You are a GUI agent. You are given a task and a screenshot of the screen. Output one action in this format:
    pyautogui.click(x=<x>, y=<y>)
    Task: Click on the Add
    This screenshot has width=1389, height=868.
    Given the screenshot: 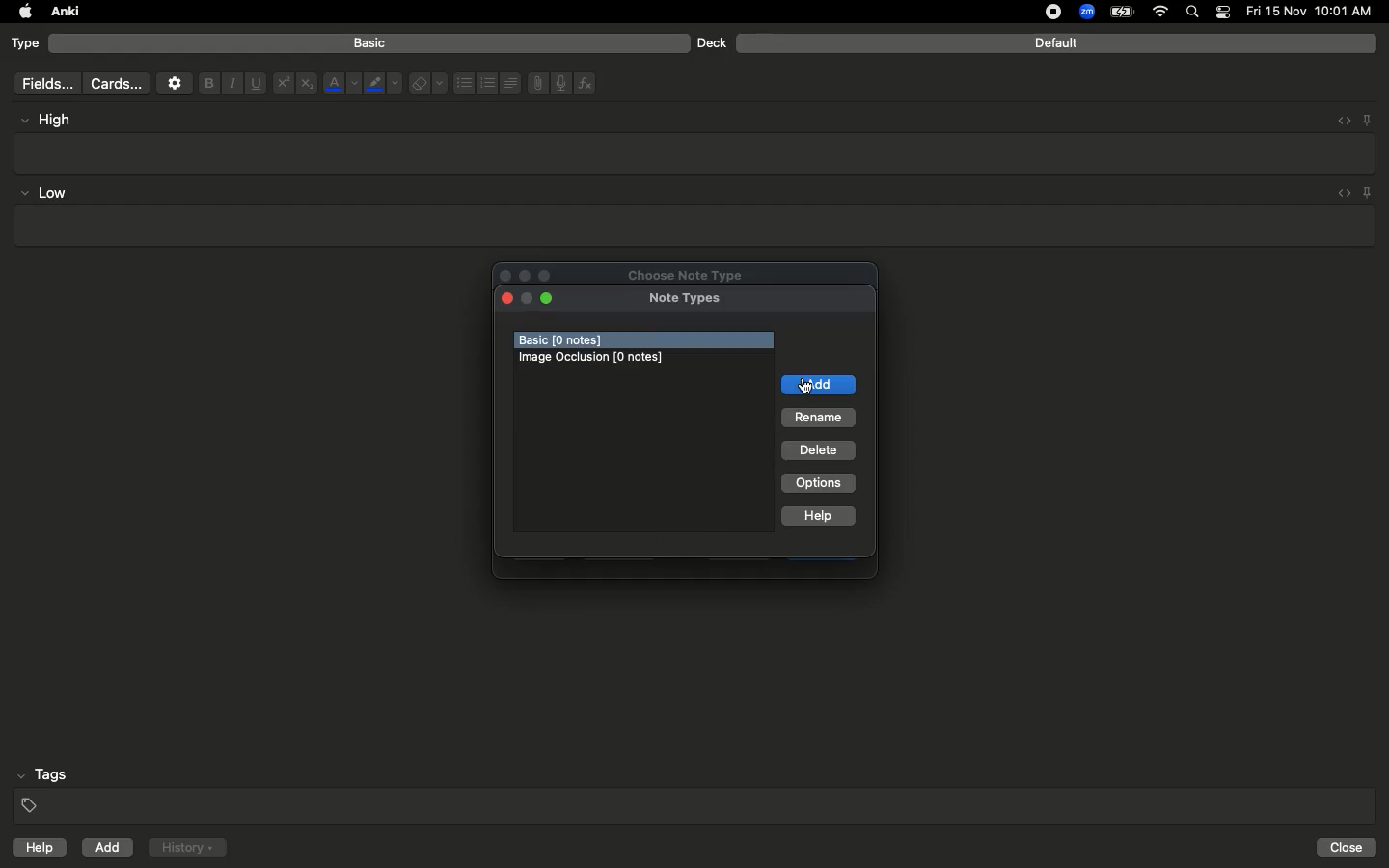 What is the action you would take?
    pyautogui.click(x=109, y=848)
    